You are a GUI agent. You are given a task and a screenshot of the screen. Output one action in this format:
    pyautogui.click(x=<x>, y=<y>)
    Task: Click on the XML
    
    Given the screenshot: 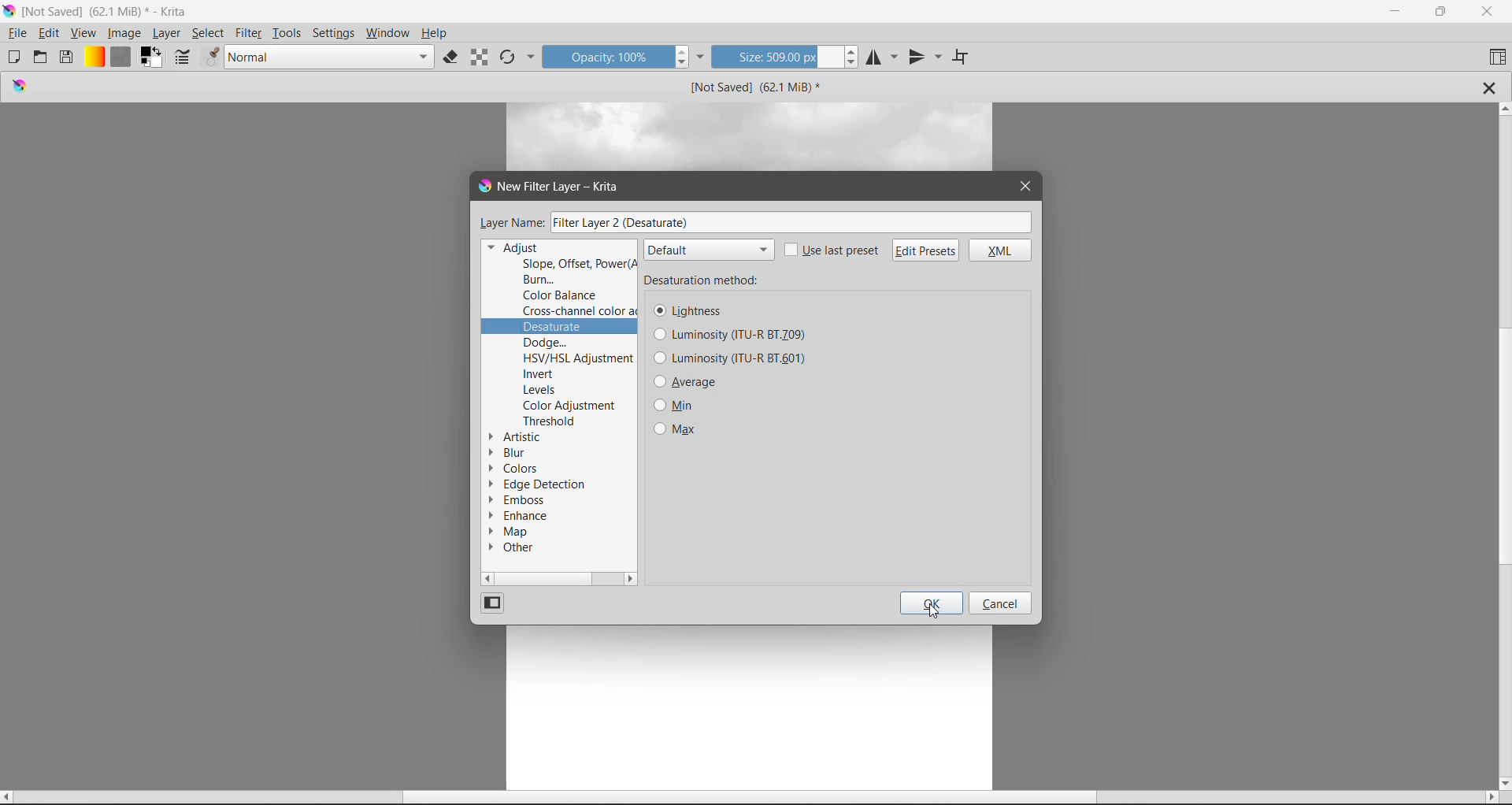 What is the action you would take?
    pyautogui.click(x=1000, y=250)
    